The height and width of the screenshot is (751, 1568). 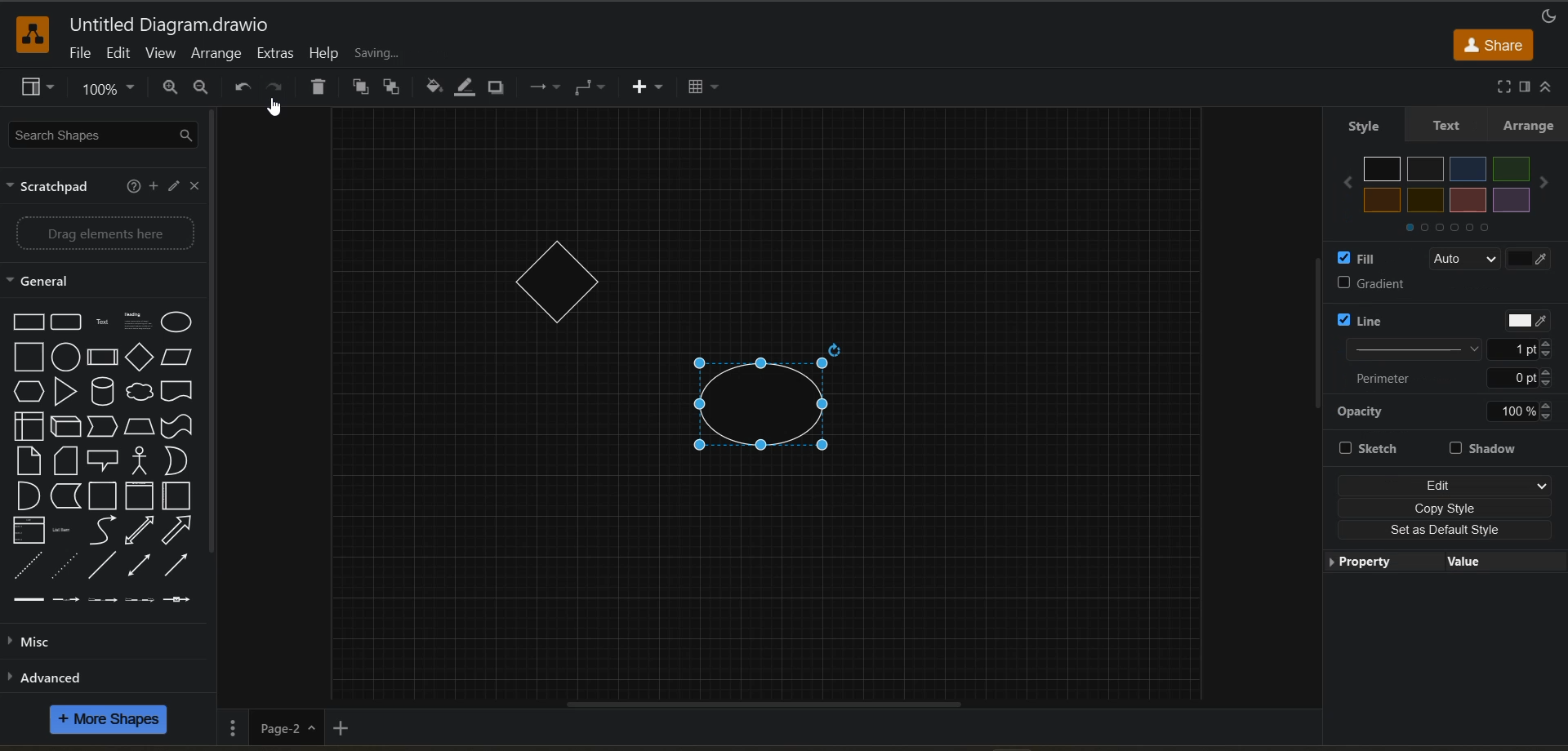 I want to click on heaxagon, so click(x=29, y=392).